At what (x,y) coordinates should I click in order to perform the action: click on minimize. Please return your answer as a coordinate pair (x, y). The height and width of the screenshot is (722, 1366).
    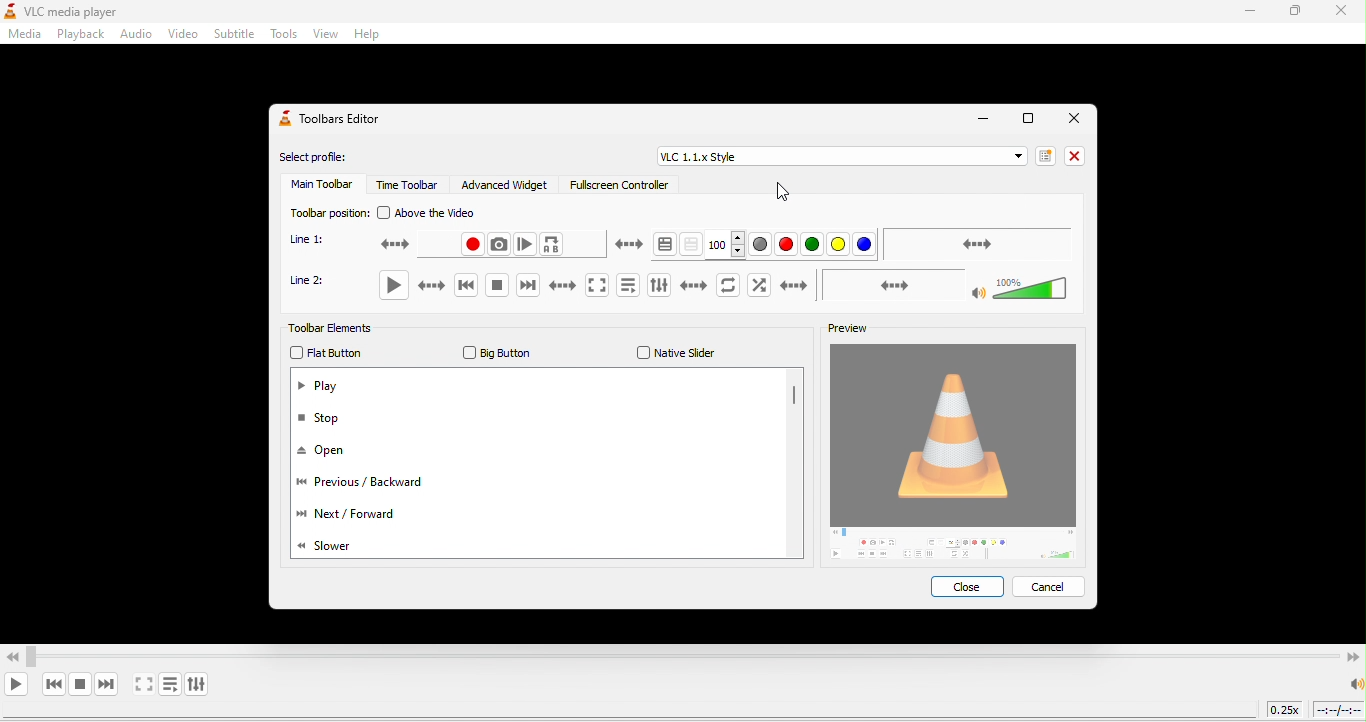
    Looking at the image, I should click on (980, 120).